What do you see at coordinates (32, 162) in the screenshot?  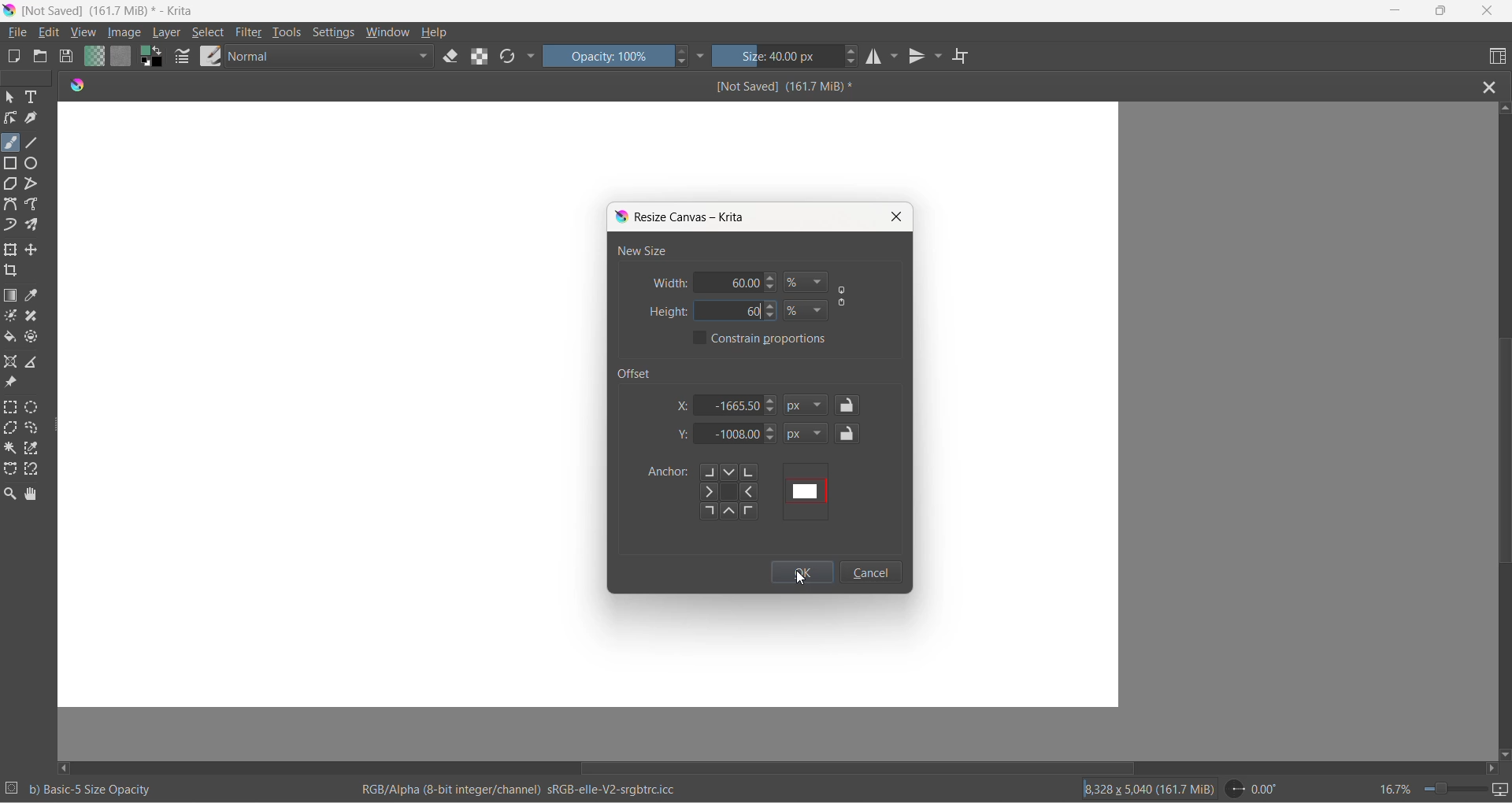 I see `ellipse tool` at bounding box center [32, 162].